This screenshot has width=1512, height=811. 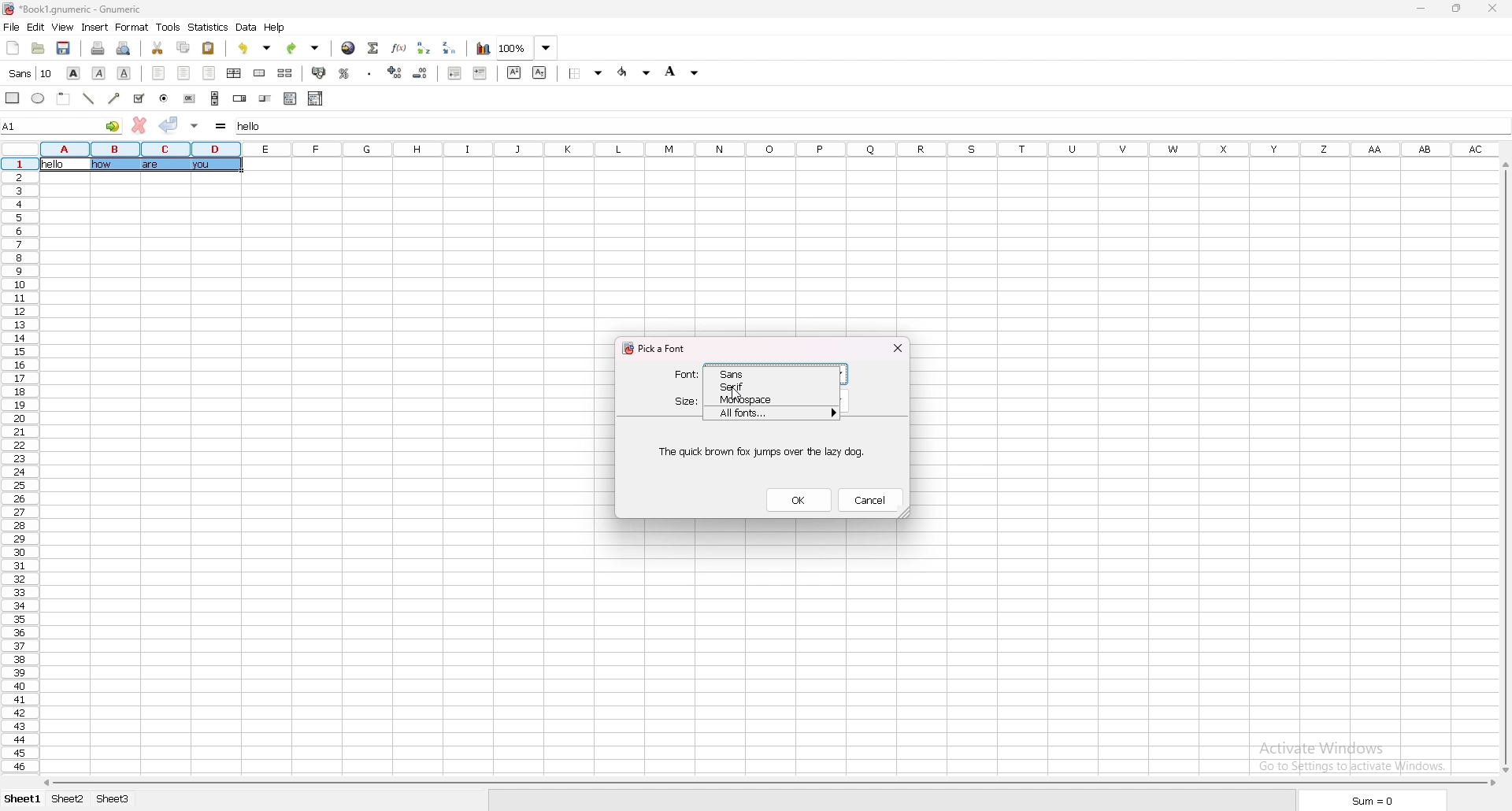 What do you see at coordinates (239, 98) in the screenshot?
I see `spin button` at bounding box center [239, 98].